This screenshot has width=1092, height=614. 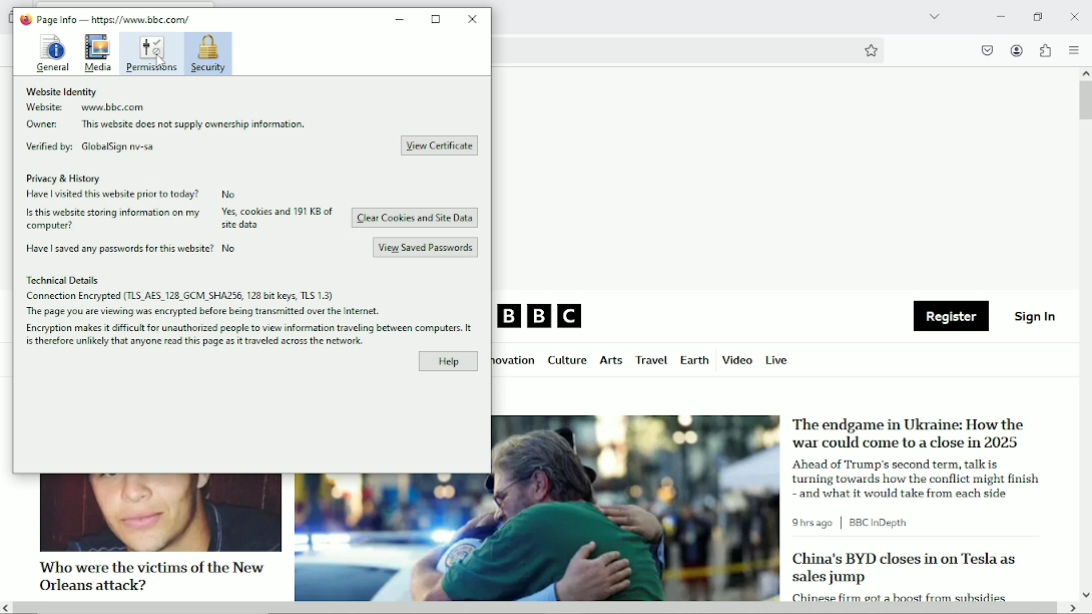 I want to click on Verified by: GlobalSign mv-sa., so click(x=90, y=146).